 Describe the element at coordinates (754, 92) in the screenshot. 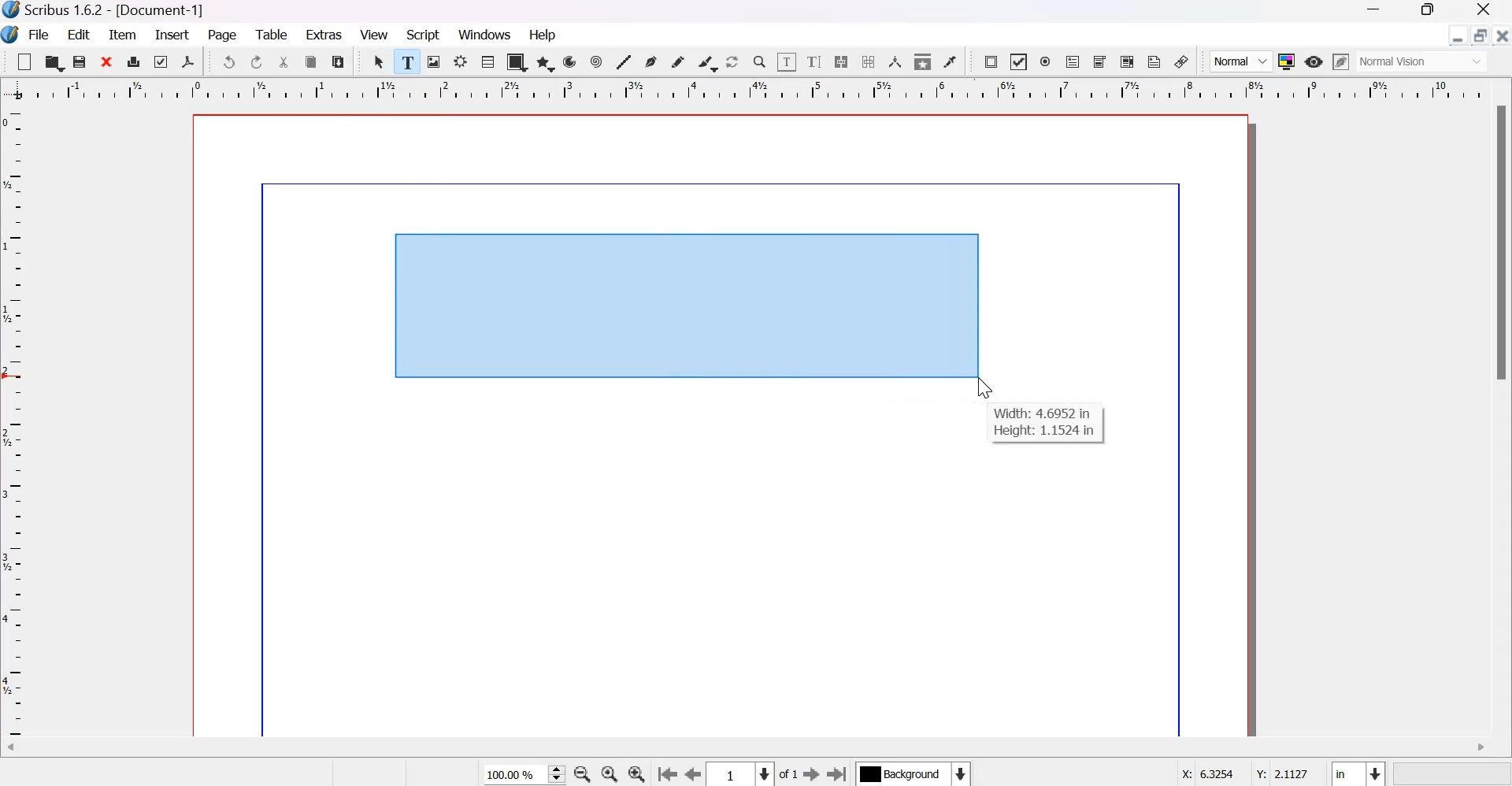

I see `Horizontal scale` at that location.